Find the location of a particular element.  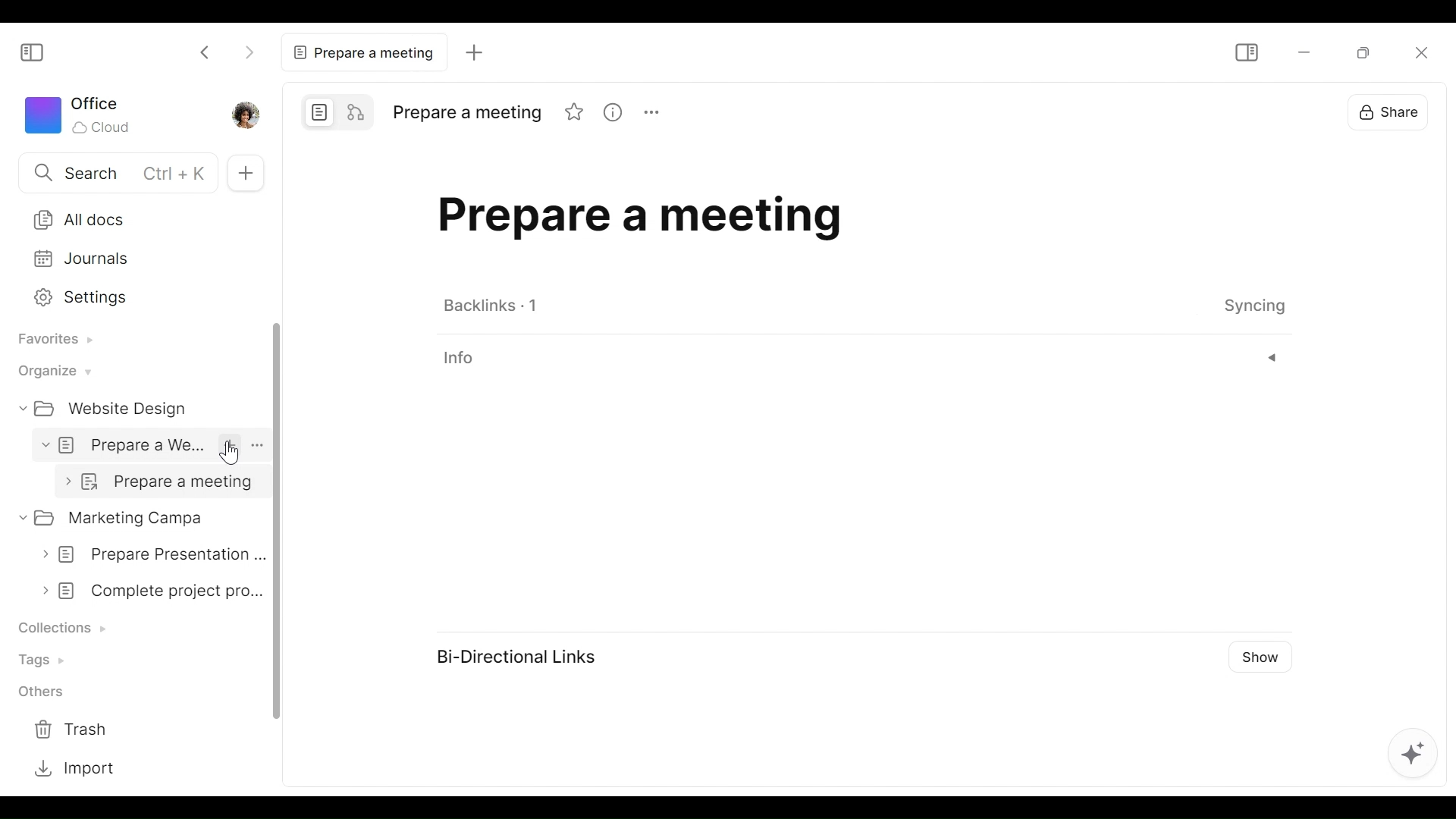

Edgeless mode is located at coordinates (353, 111).